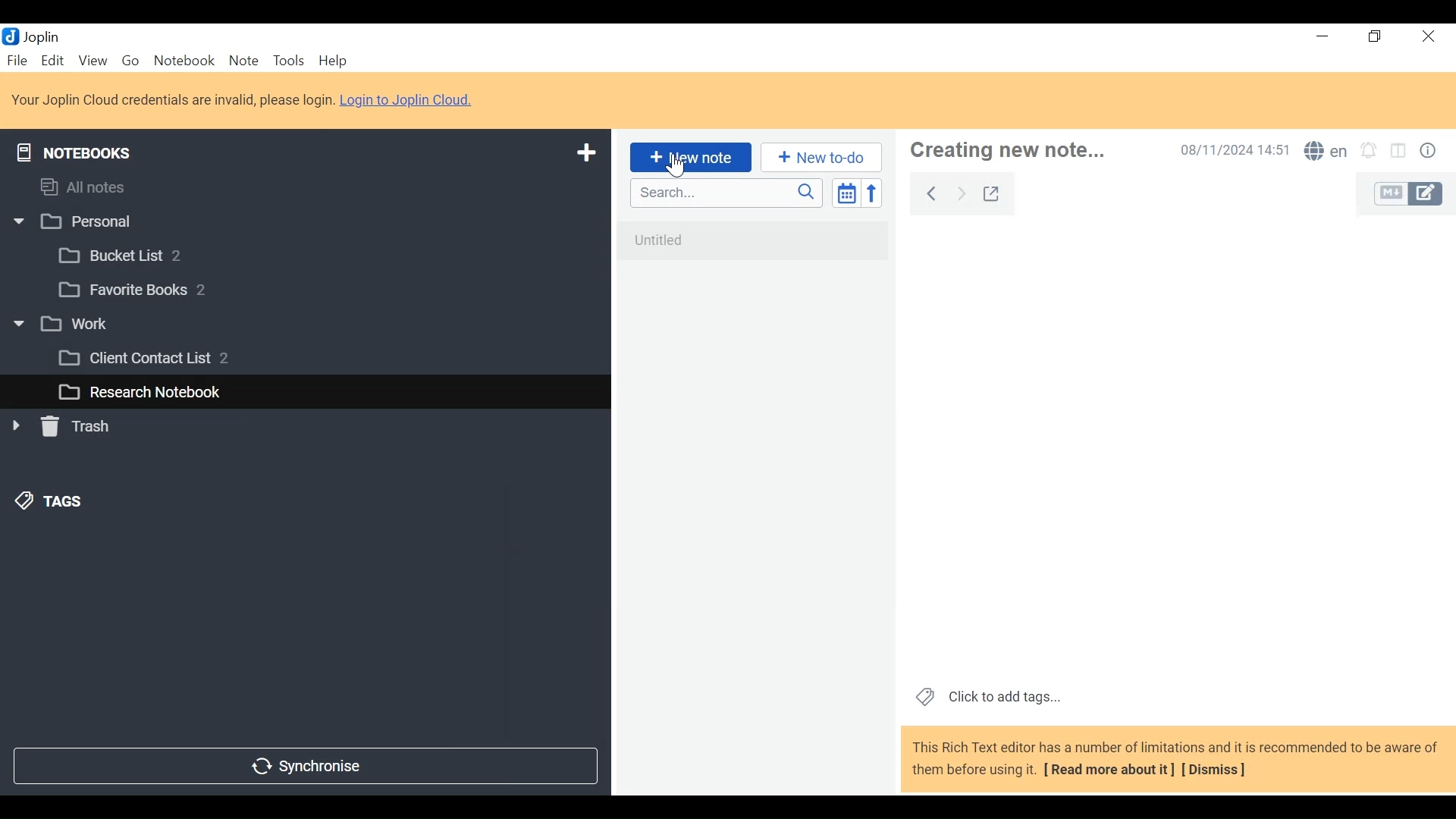 Image resolution: width=1456 pixels, height=819 pixels. What do you see at coordinates (166, 362) in the screenshot?
I see `[3 Client Contact List 2` at bounding box center [166, 362].